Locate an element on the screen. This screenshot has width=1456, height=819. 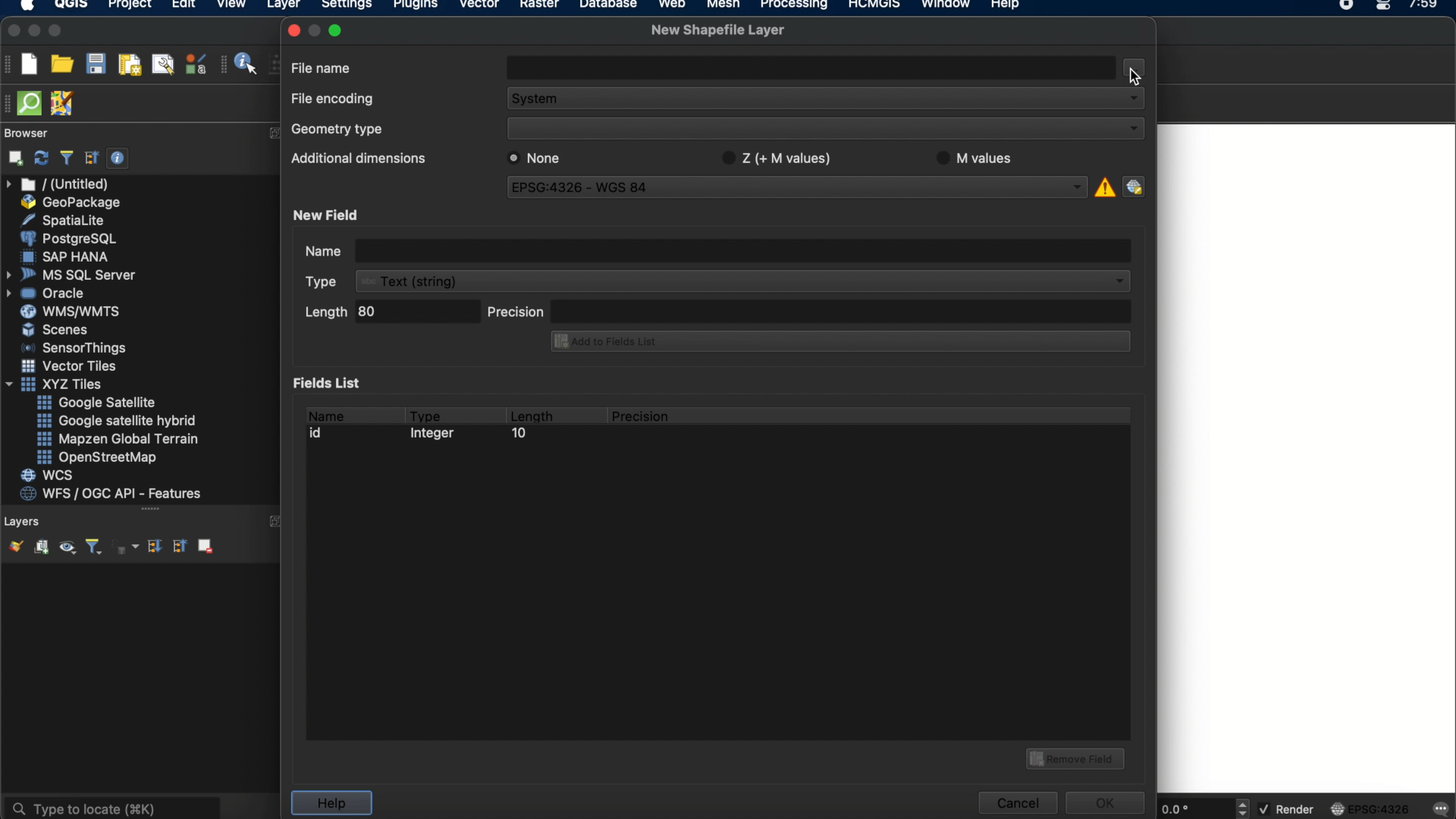
view is located at coordinates (231, 6).